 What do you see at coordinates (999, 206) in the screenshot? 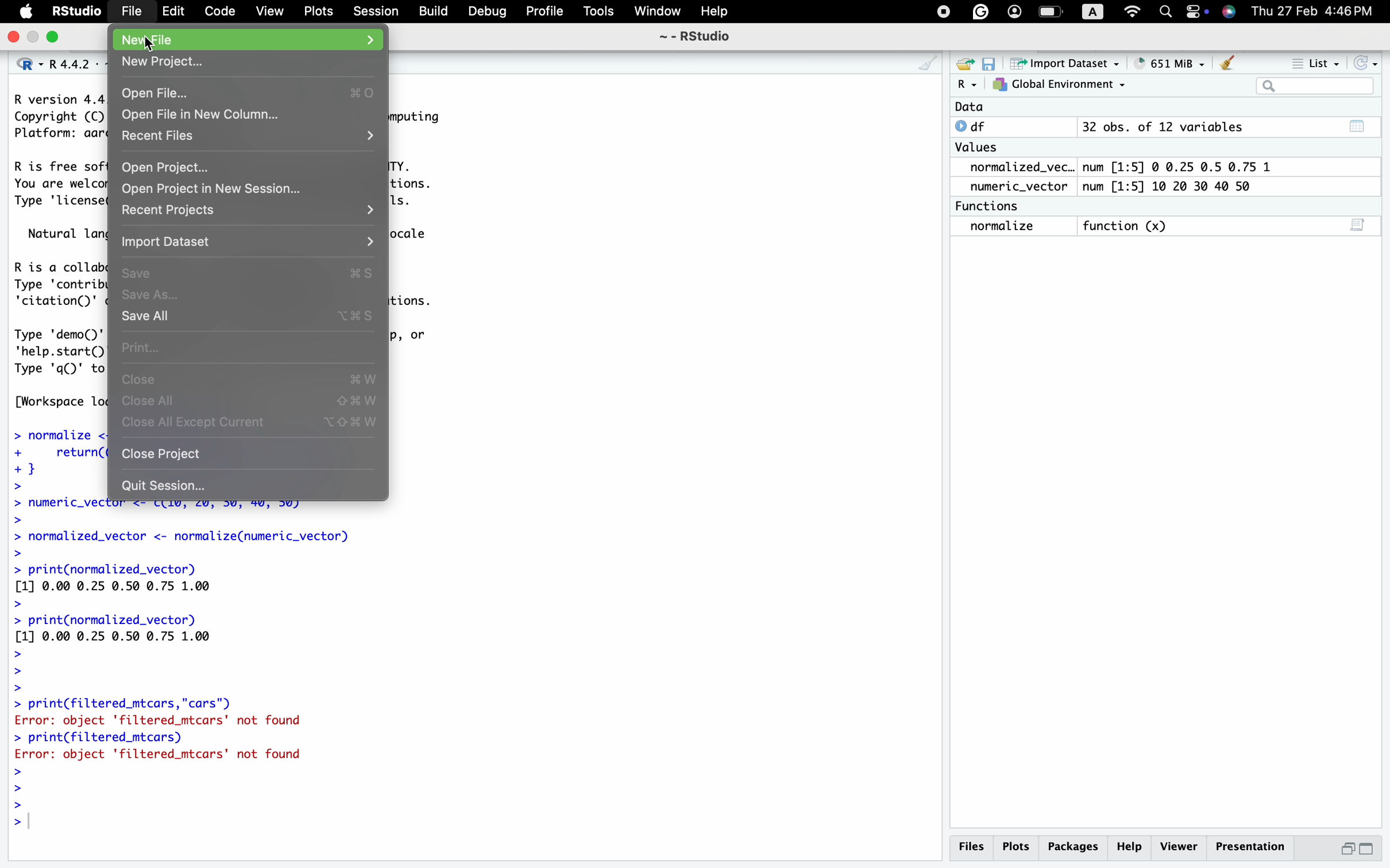
I see `Functions` at bounding box center [999, 206].